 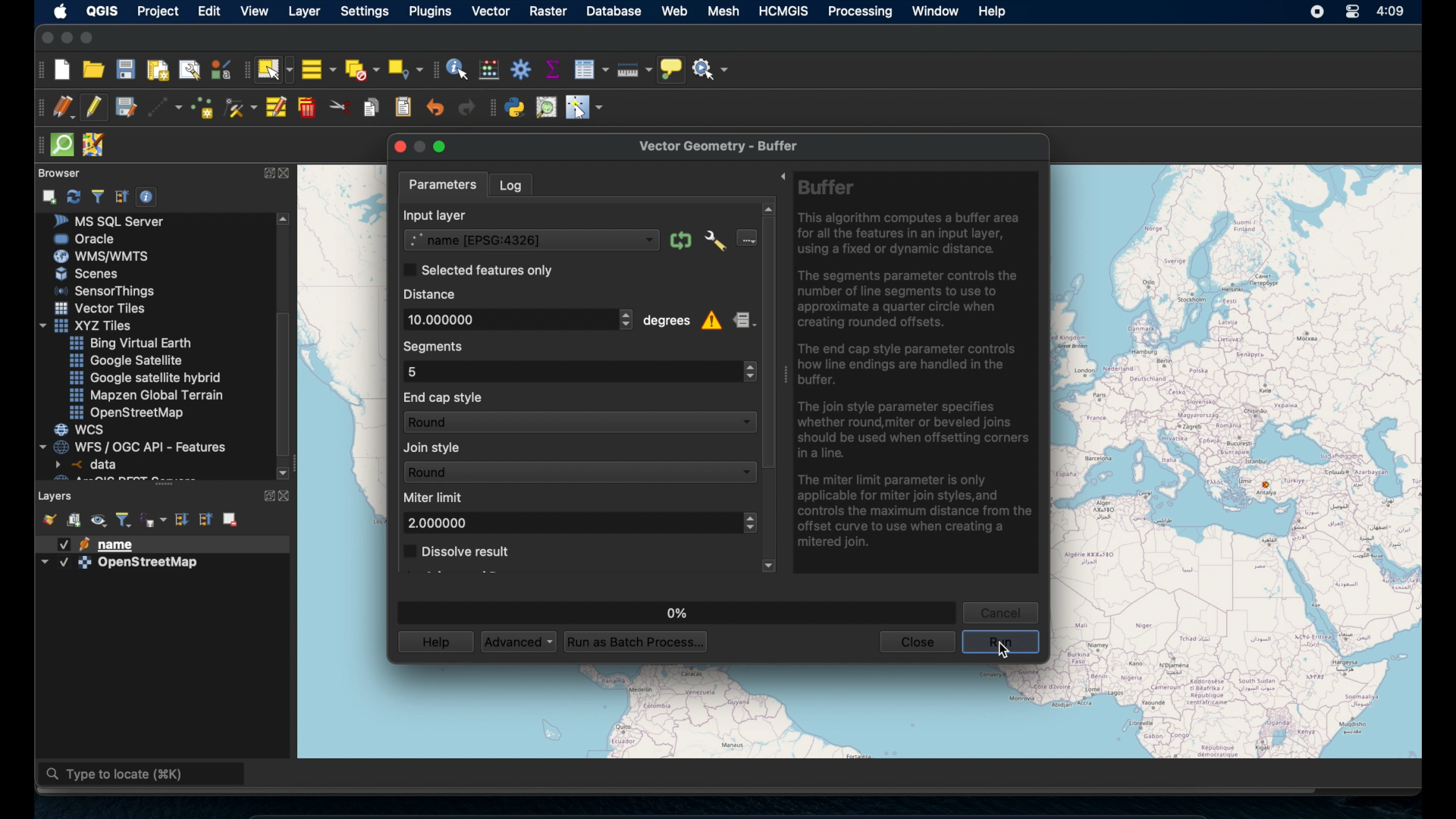 What do you see at coordinates (406, 67) in the screenshot?
I see `select by location` at bounding box center [406, 67].